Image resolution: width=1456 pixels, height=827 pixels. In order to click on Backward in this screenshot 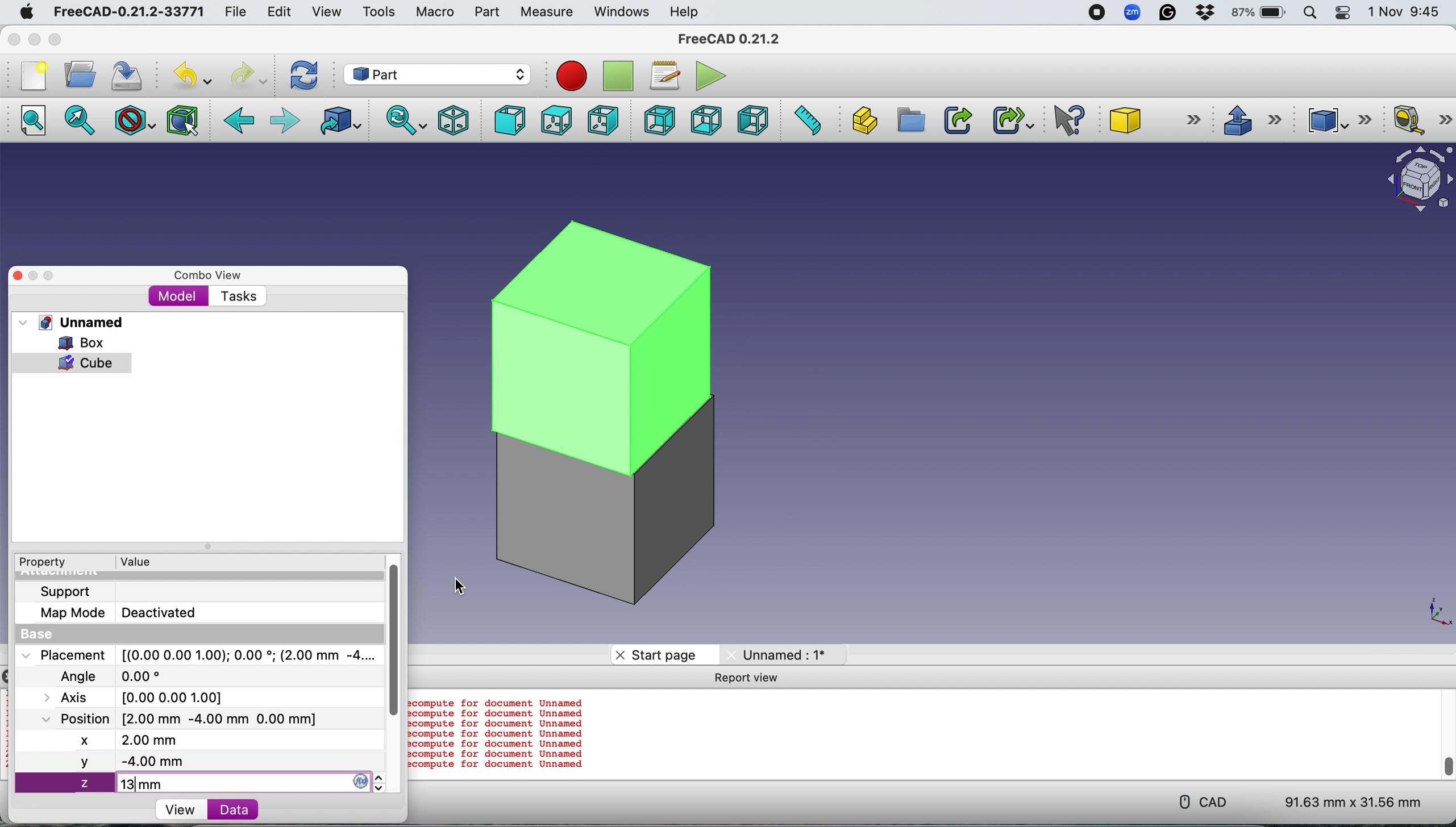, I will do `click(240, 122)`.